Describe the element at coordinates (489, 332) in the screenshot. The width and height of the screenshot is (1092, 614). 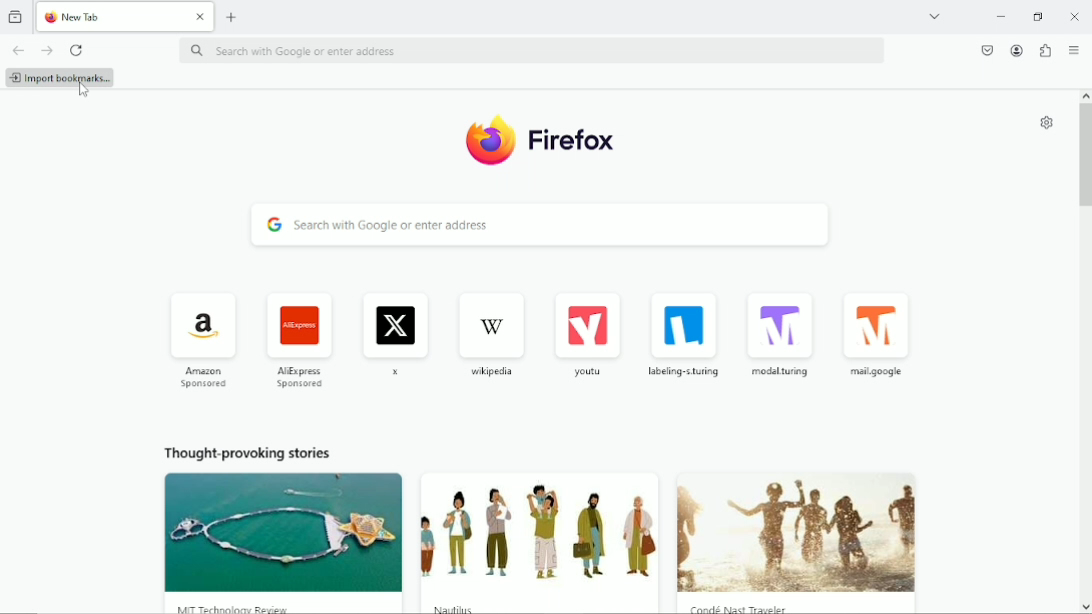
I see `wikipedia` at that location.